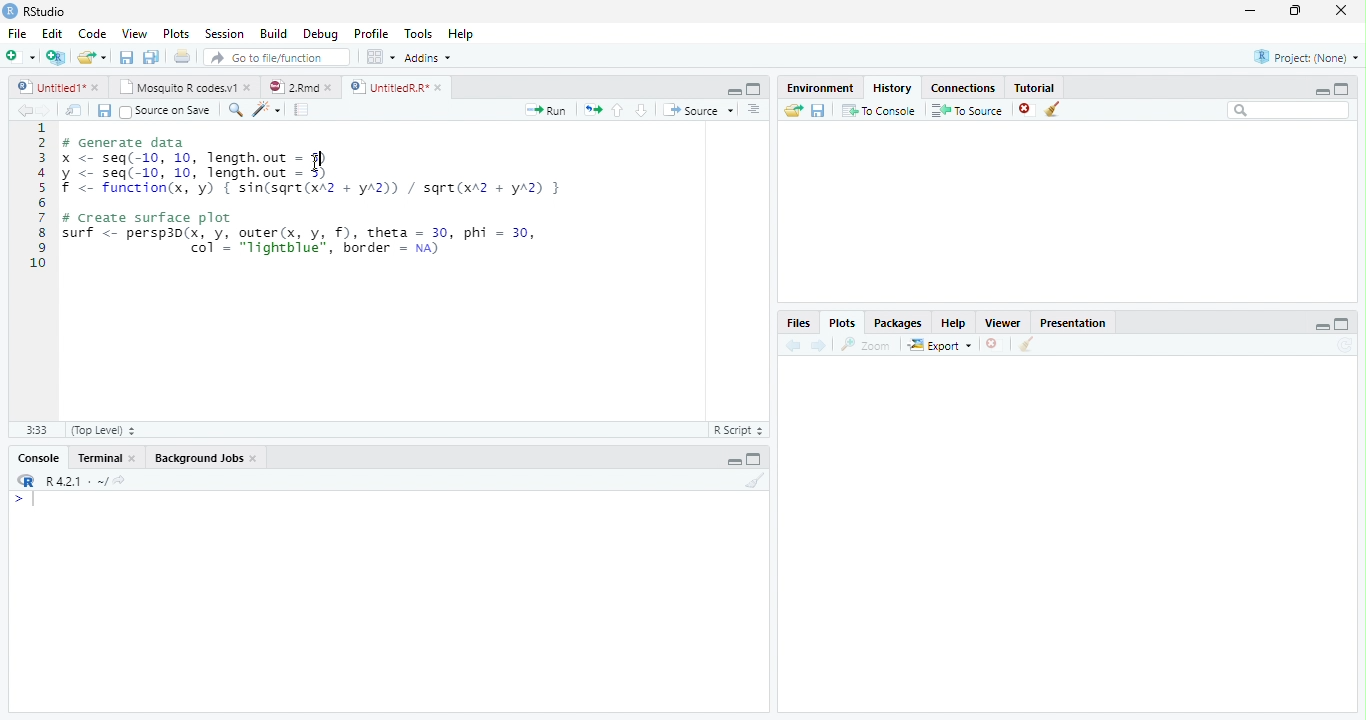 The width and height of the screenshot is (1366, 720). What do you see at coordinates (734, 461) in the screenshot?
I see `Minimize` at bounding box center [734, 461].